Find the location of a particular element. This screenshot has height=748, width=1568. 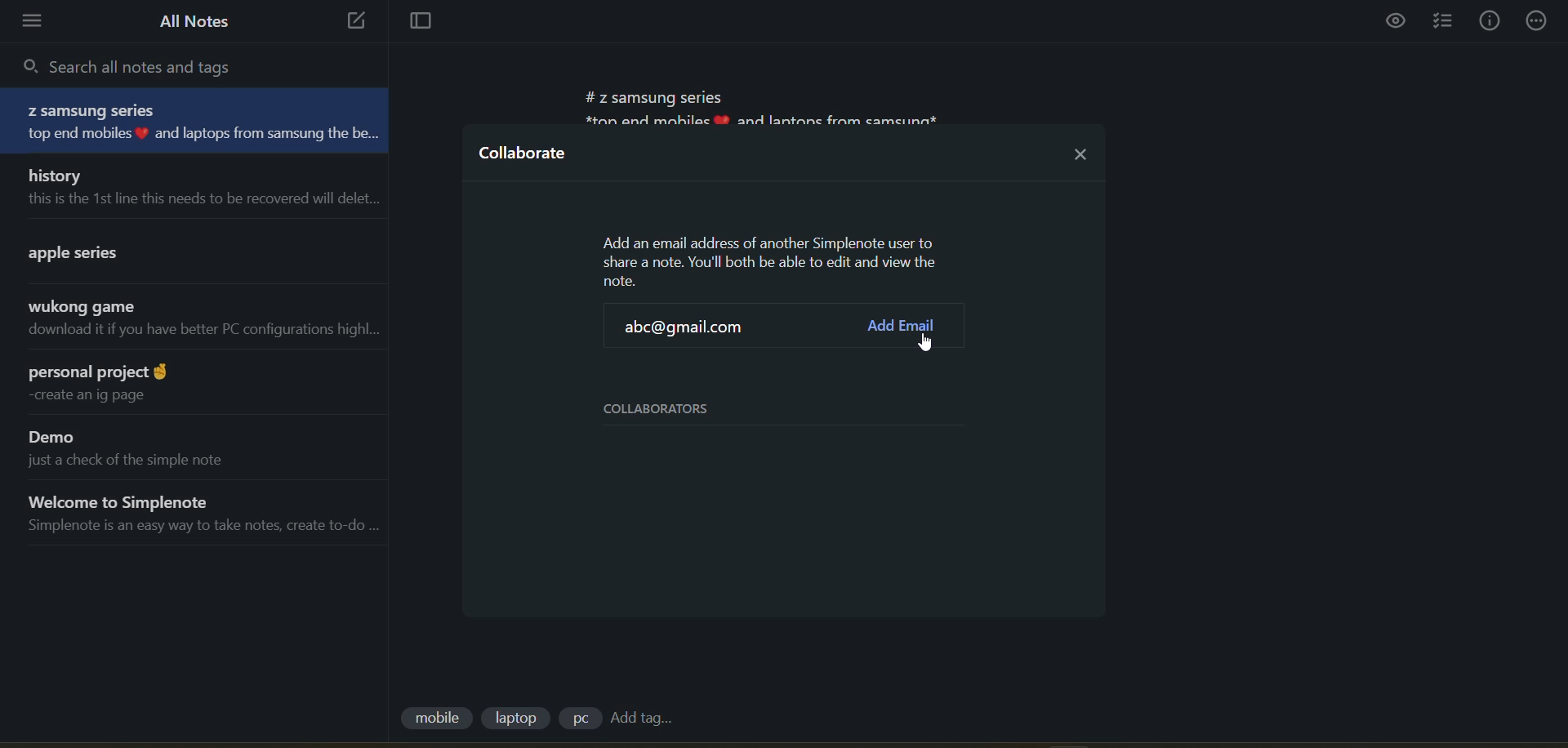

collaborators is located at coordinates (670, 409).